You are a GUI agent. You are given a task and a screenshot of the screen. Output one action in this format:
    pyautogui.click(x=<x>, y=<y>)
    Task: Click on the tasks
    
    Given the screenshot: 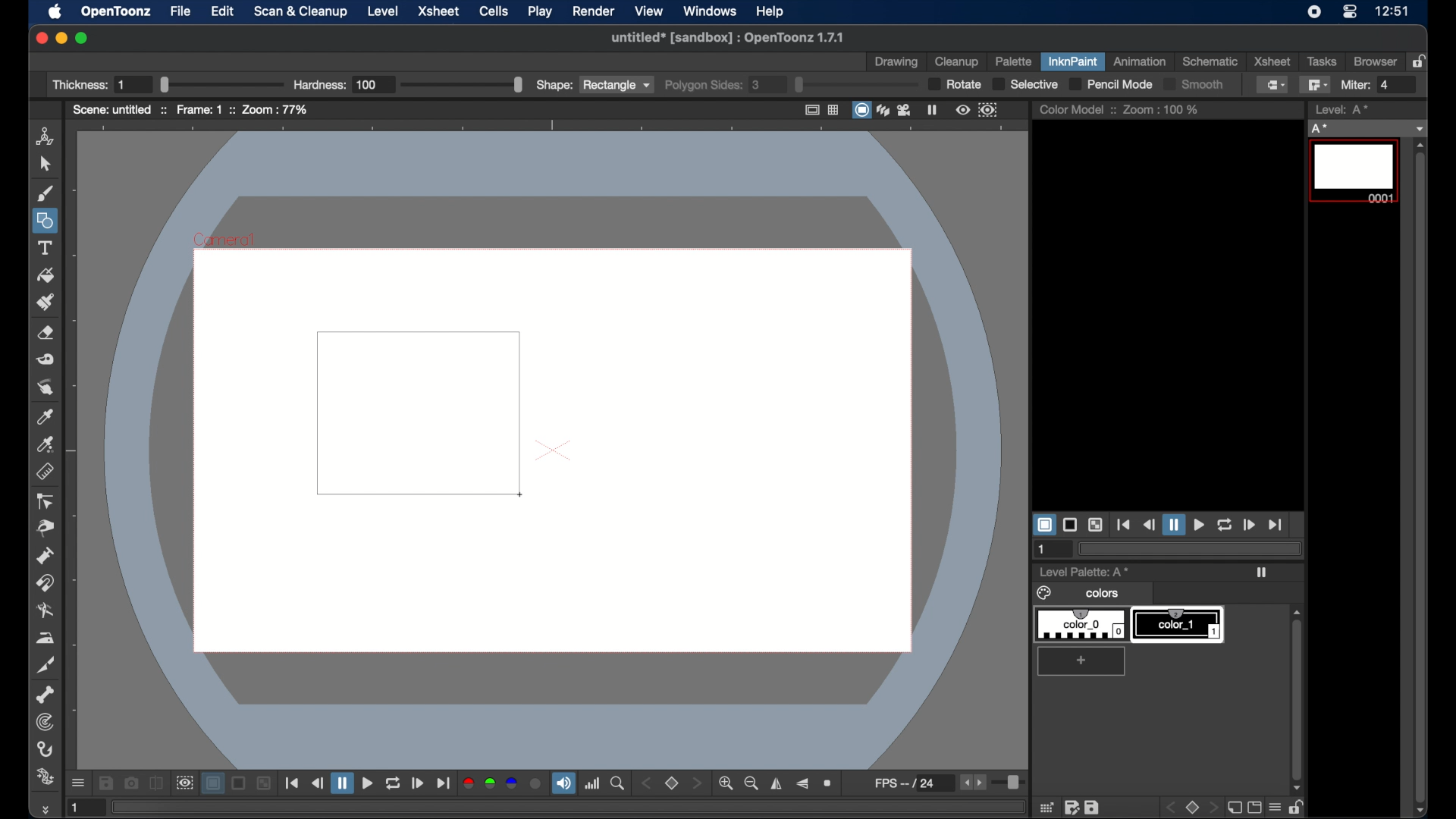 What is the action you would take?
    pyautogui.click(x=1321, y=61)
    